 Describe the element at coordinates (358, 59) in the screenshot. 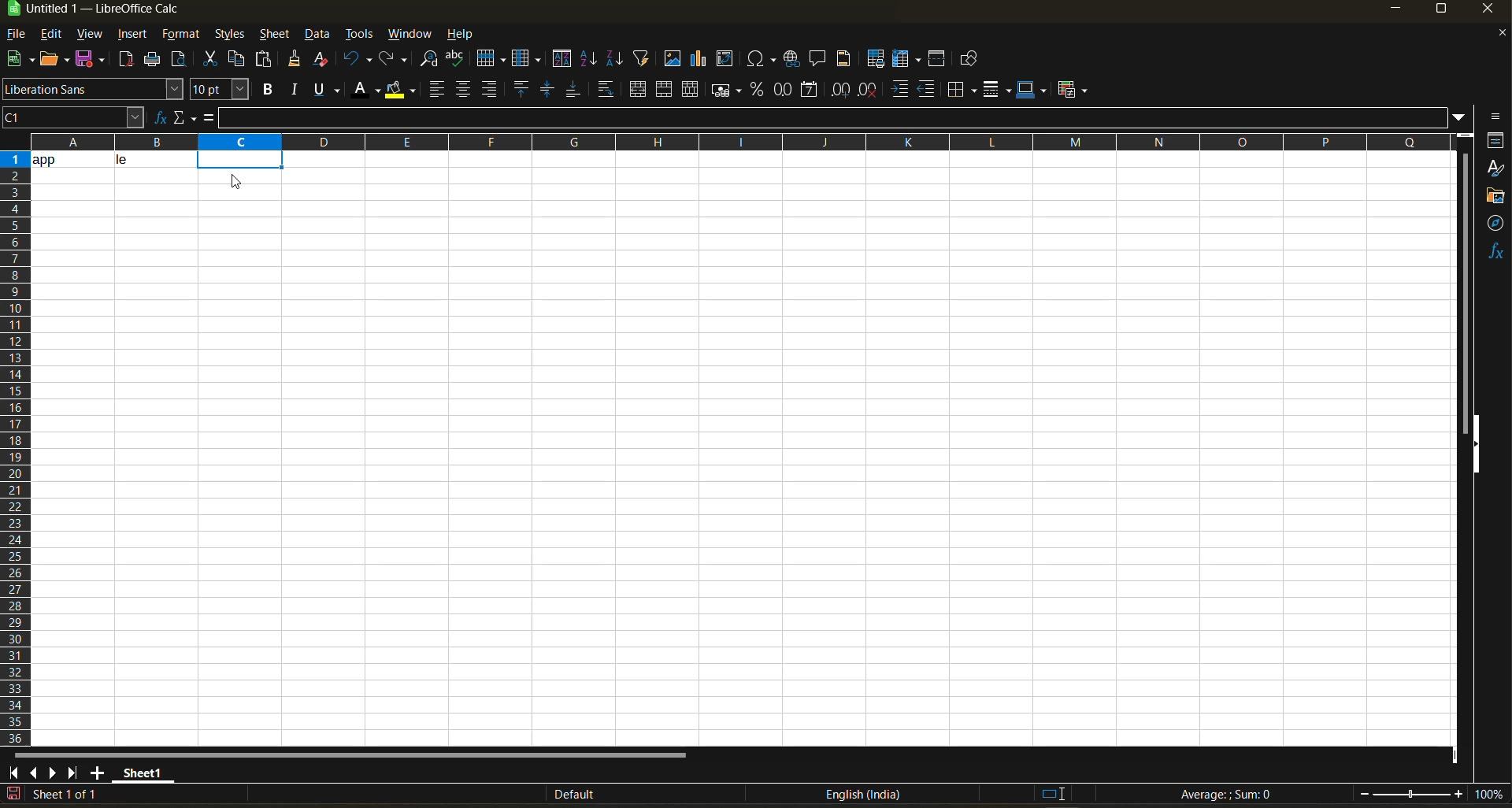

I see `undo` at that location.